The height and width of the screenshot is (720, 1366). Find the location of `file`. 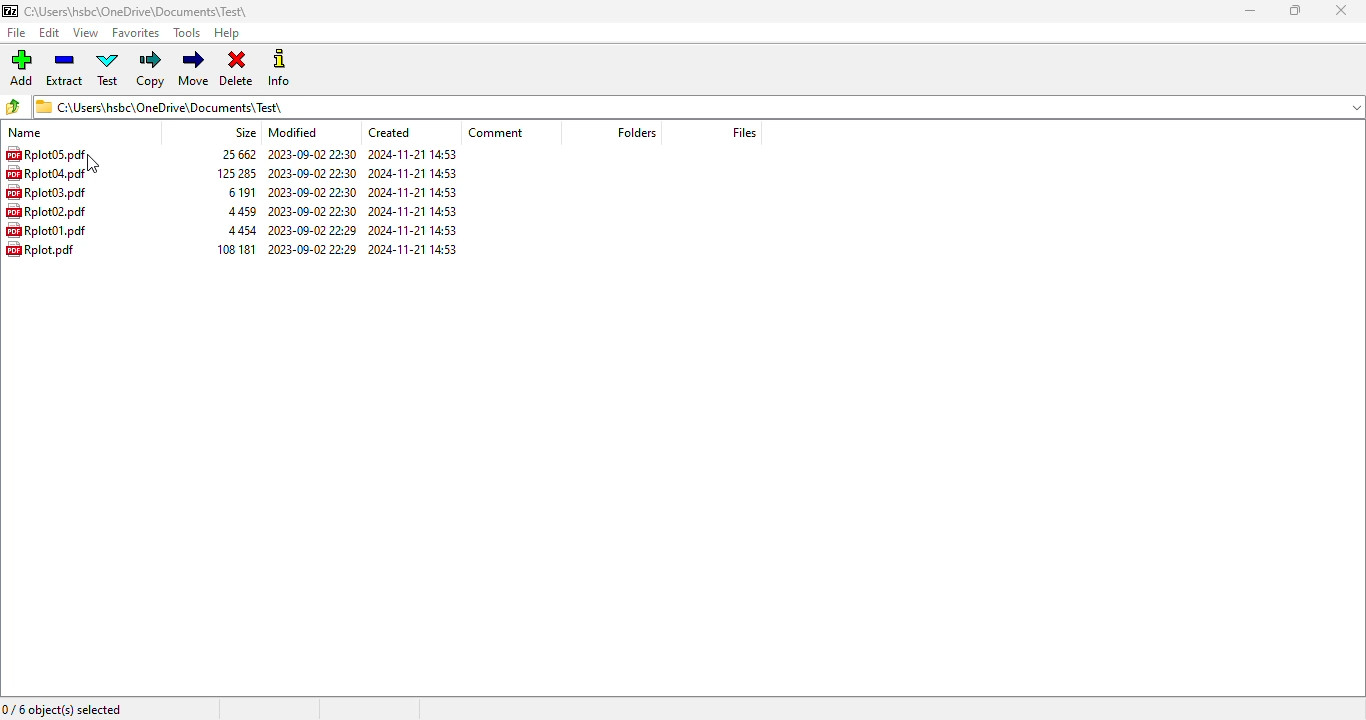

file is located at coordinates (15, 33).